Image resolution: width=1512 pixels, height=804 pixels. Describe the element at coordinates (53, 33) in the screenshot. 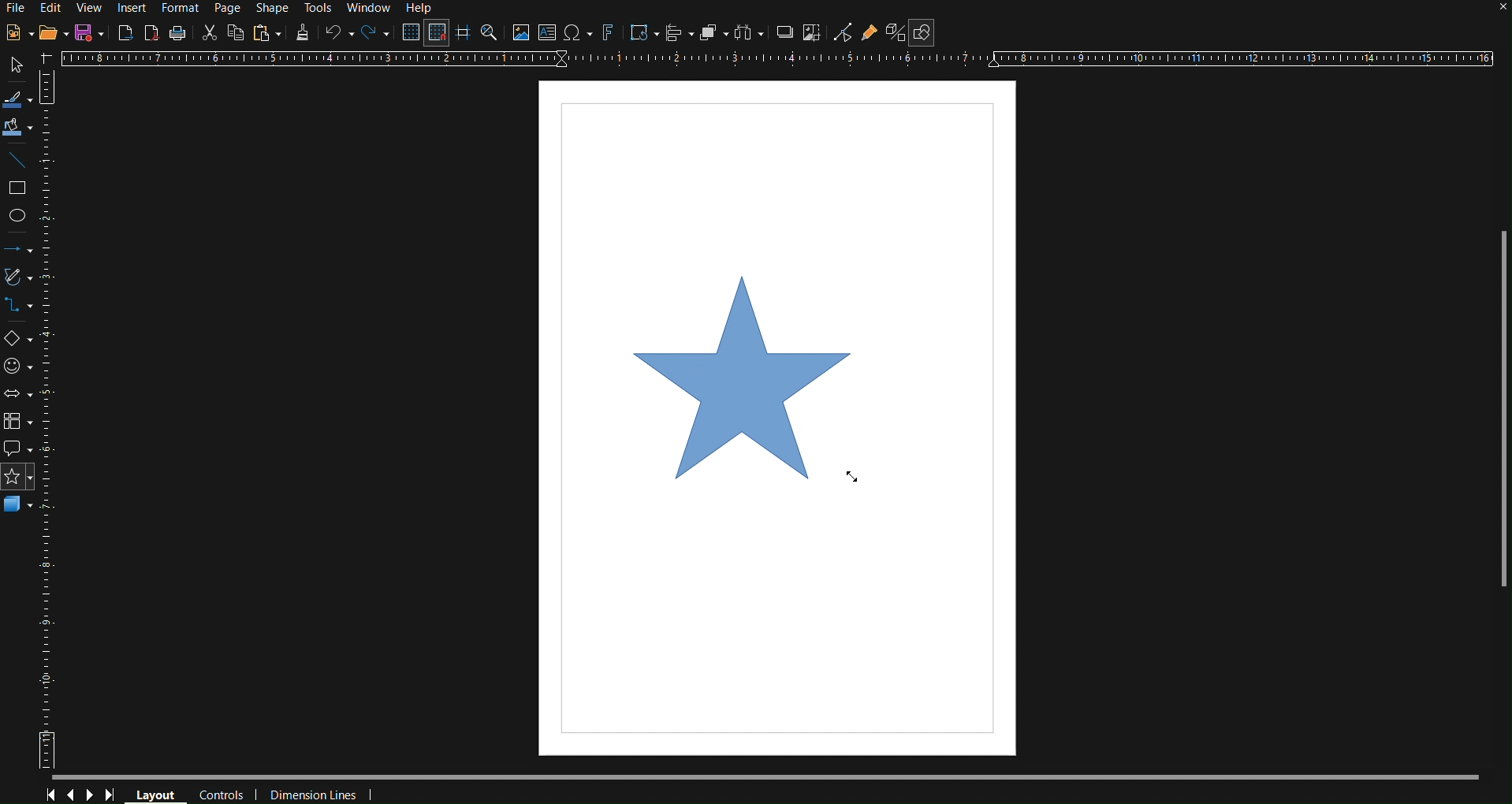

I see `Open` at that location.